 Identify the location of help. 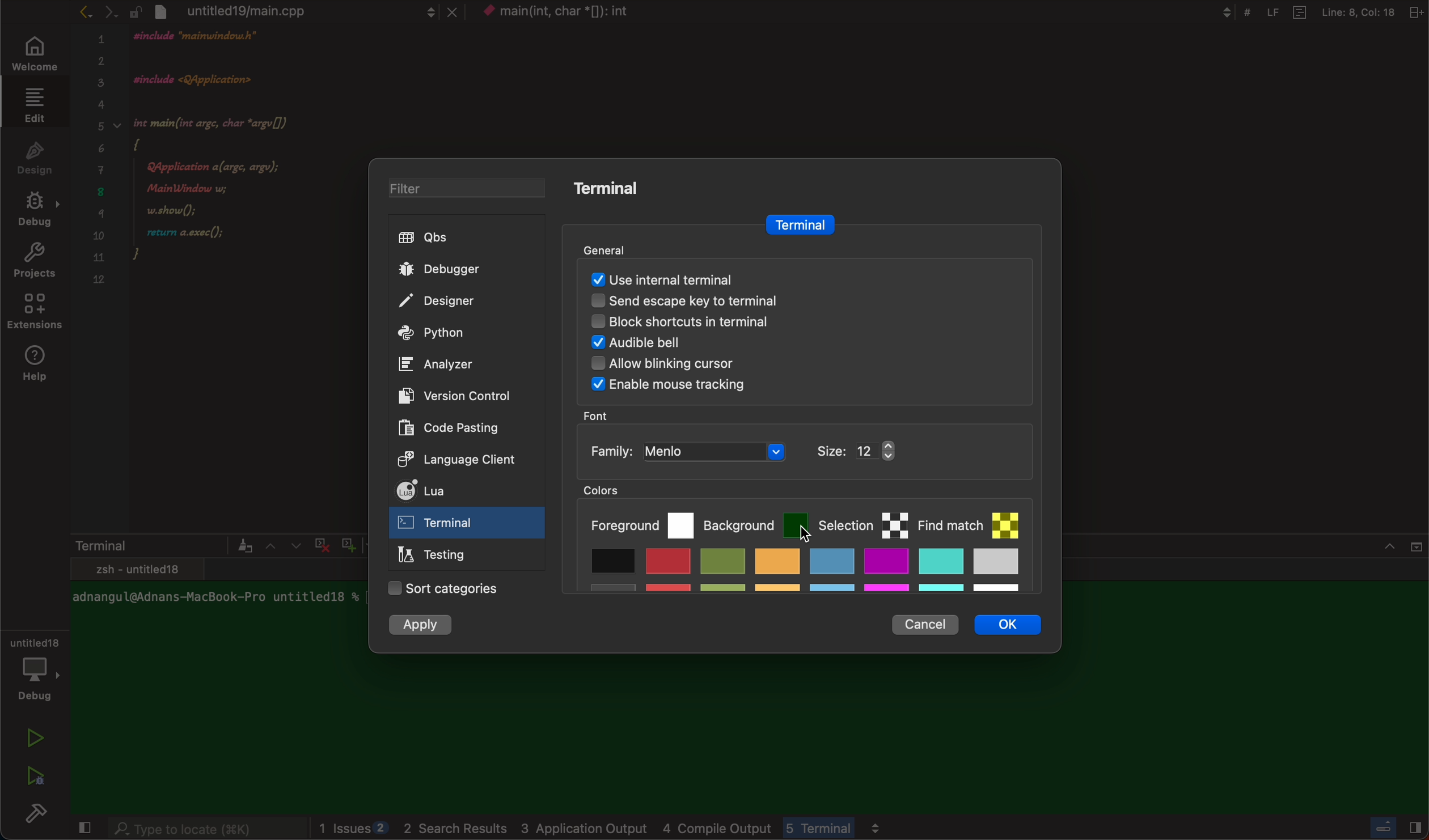
(39, 364).